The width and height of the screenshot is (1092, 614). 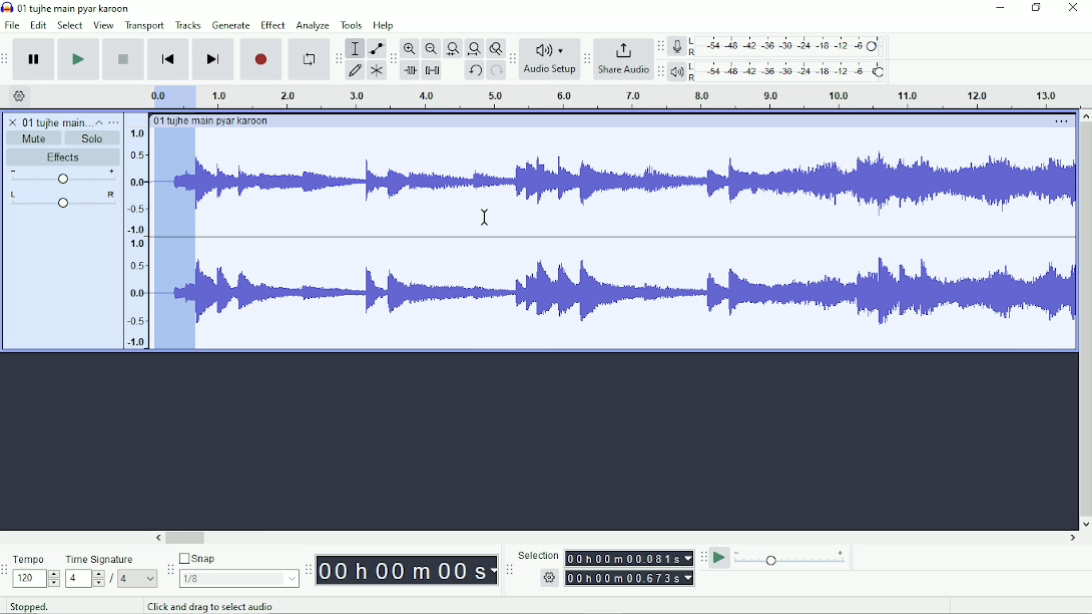 What do you see at coordinates (189, 24) in the screenshot?
I see `Tracks` at bounding box center [189, 24].